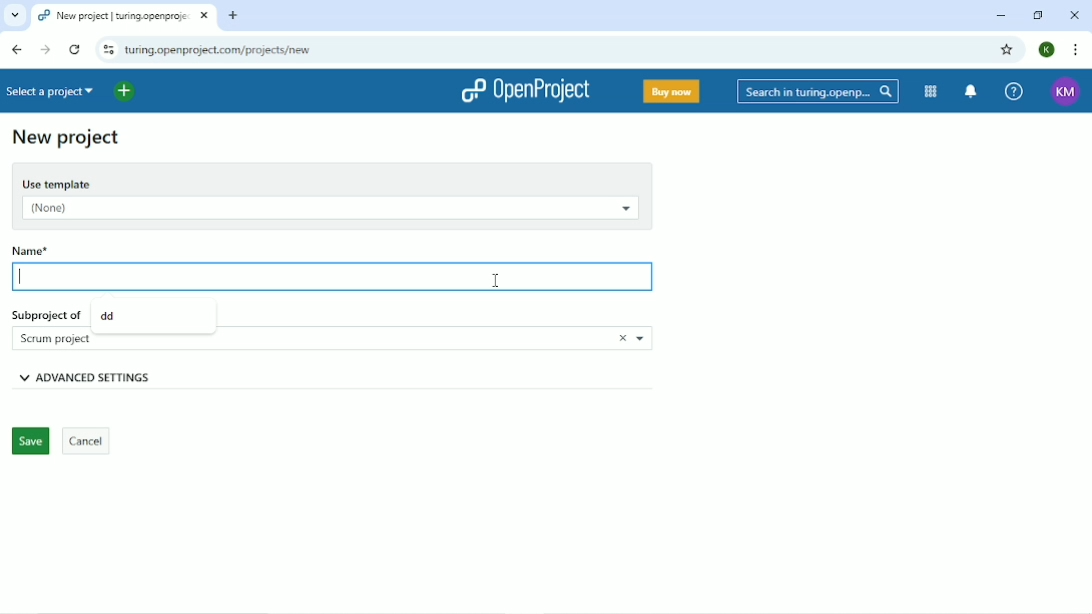  What do you see at coordinates (87, 441) in the screenshot?
I see `Cancel` at bounding box center [87, 441].